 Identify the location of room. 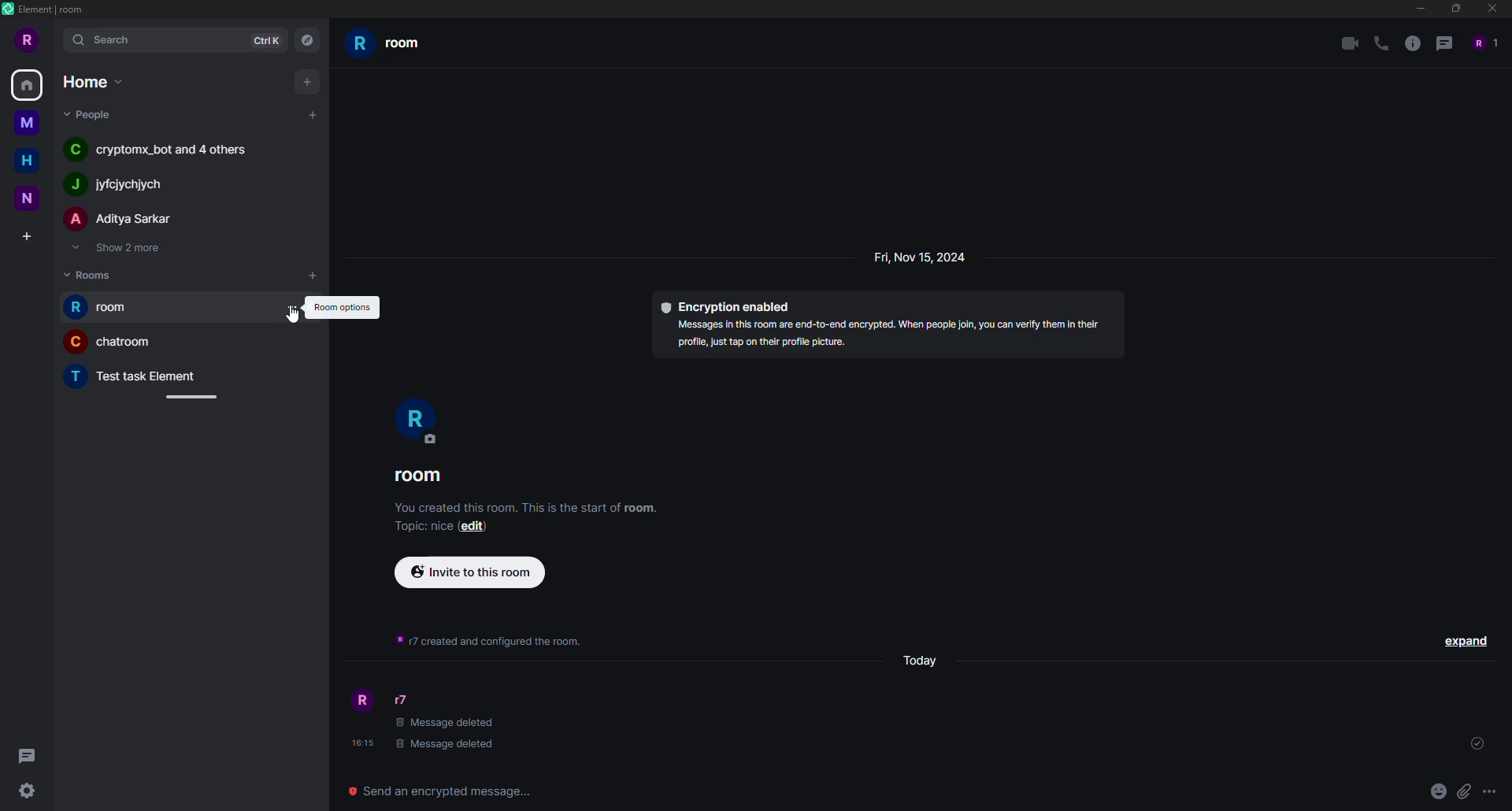
(419, 475).